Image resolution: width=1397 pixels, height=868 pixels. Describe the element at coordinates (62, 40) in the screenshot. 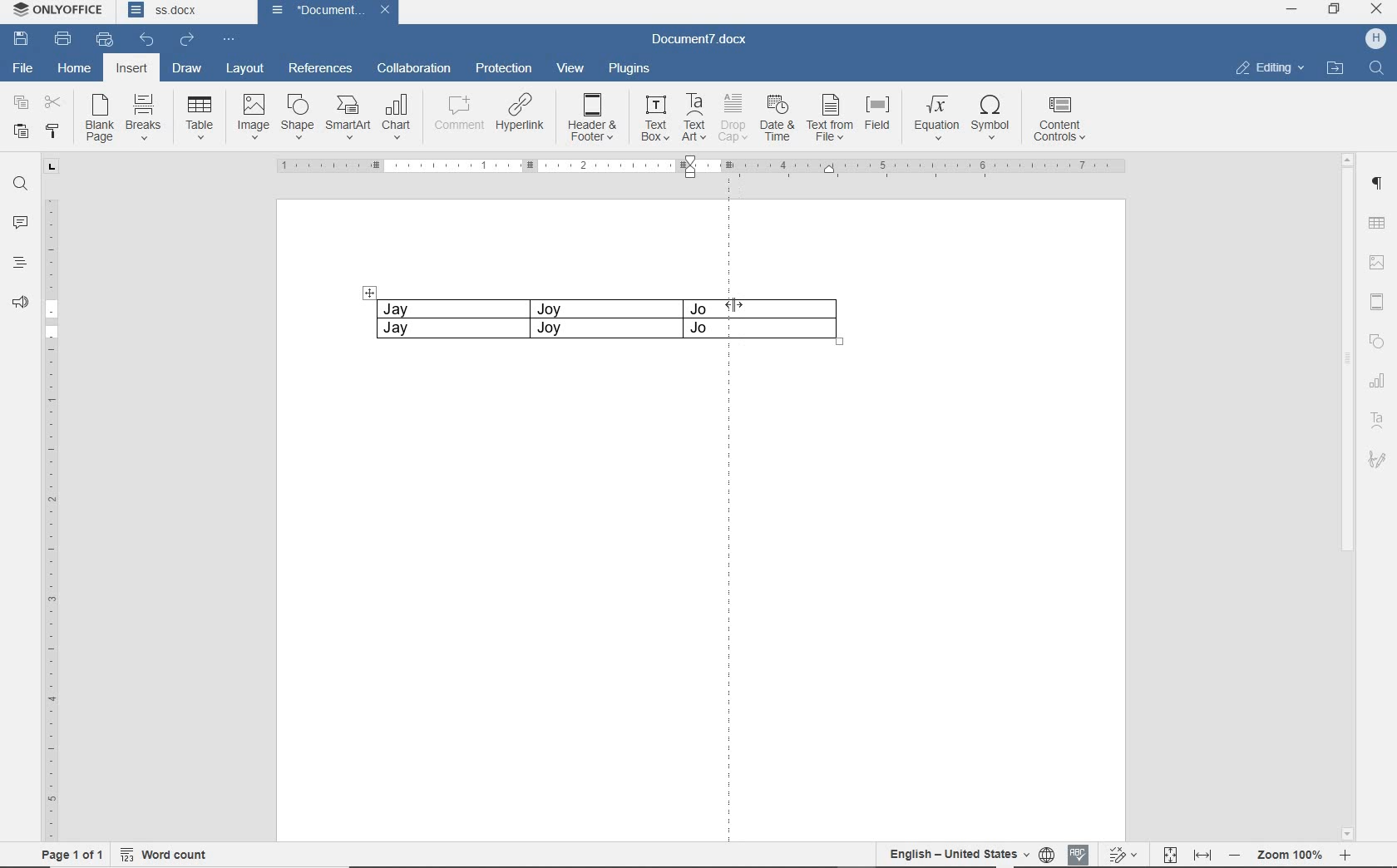

I see `PRINT` at that location.